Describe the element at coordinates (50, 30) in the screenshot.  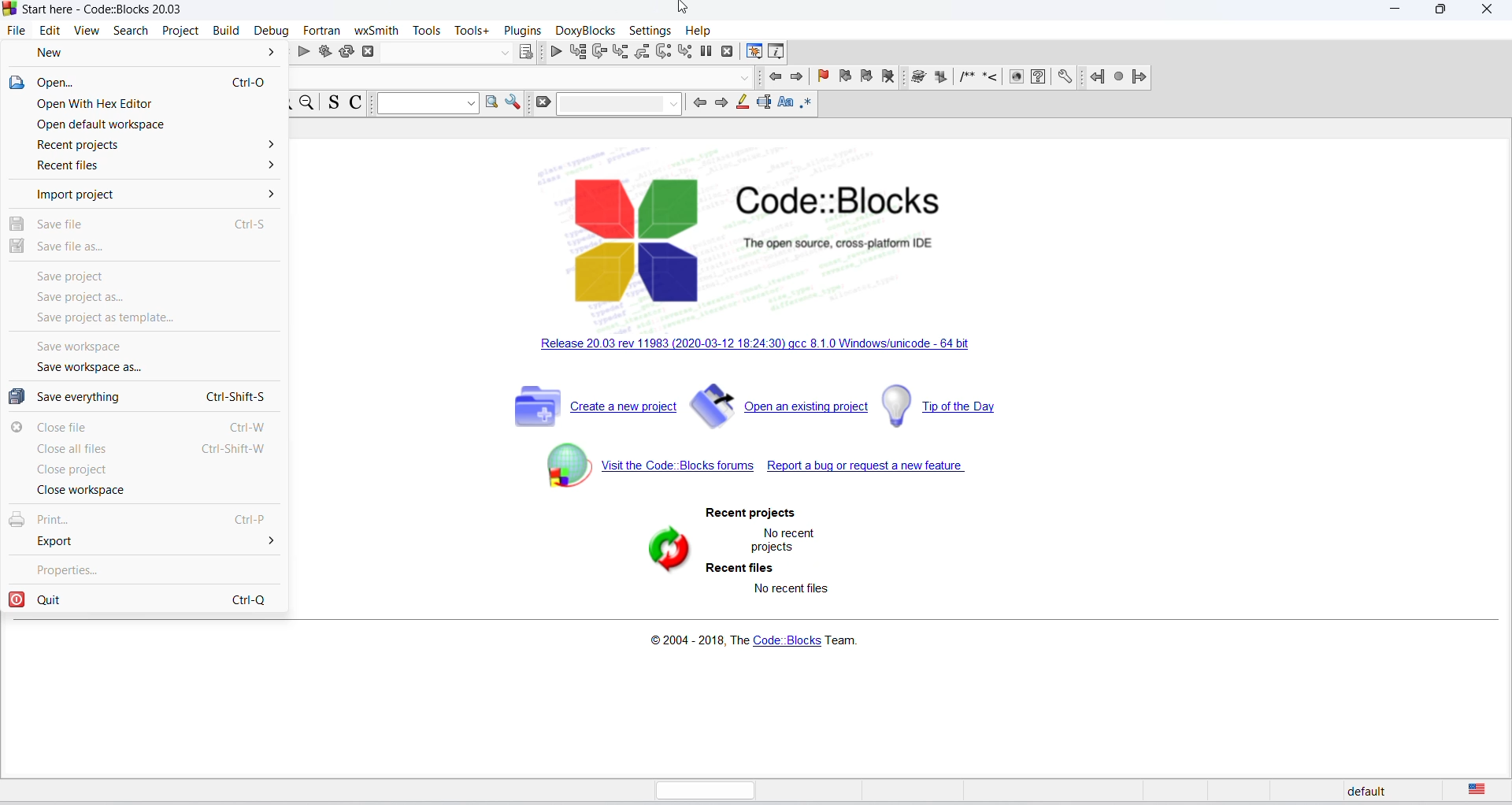
I see `edit` at that location.